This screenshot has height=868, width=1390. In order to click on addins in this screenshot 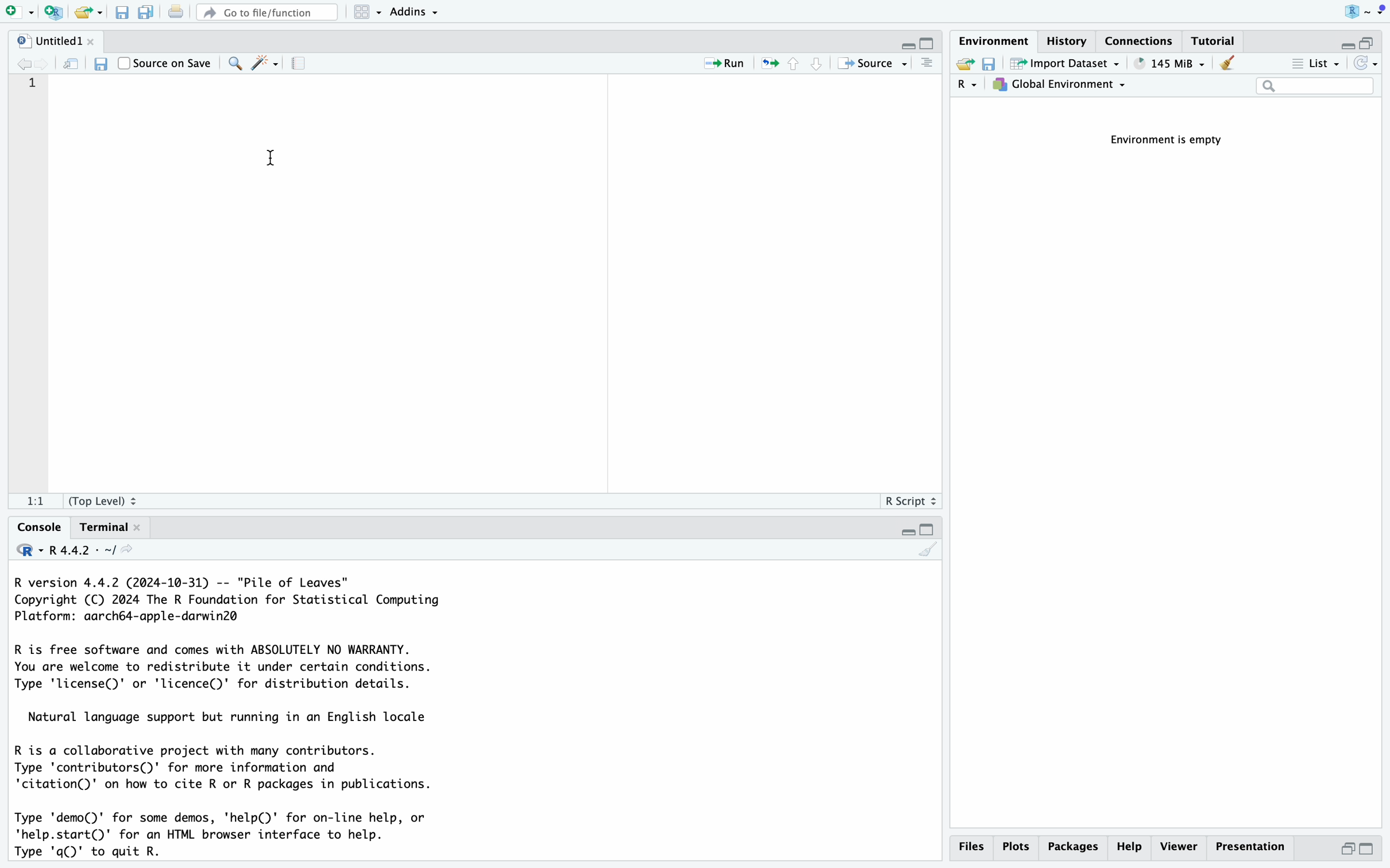, I will do `click(415, 11)`.